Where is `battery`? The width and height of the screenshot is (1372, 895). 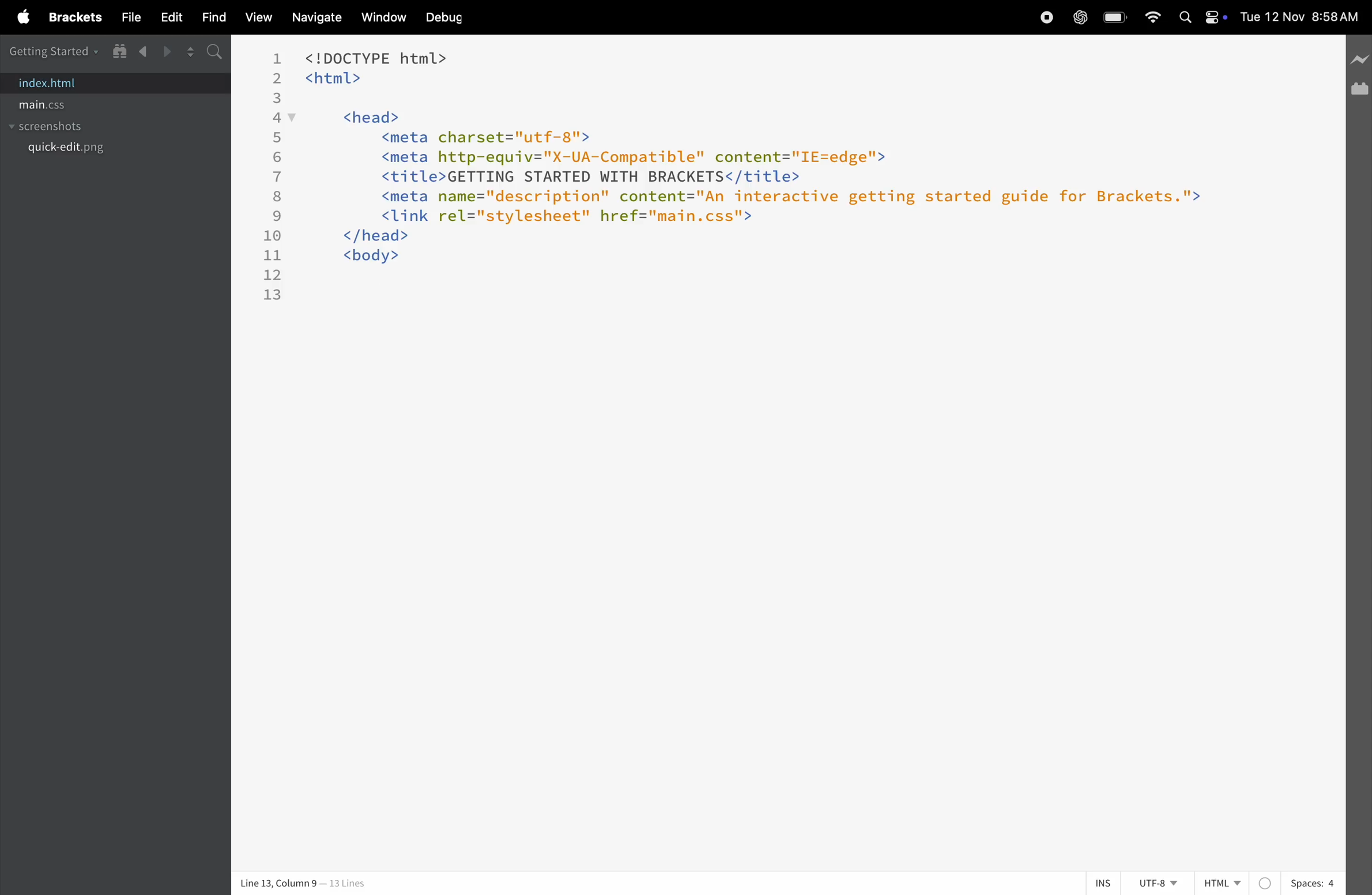
battery is located at coordinates (1113, 18).